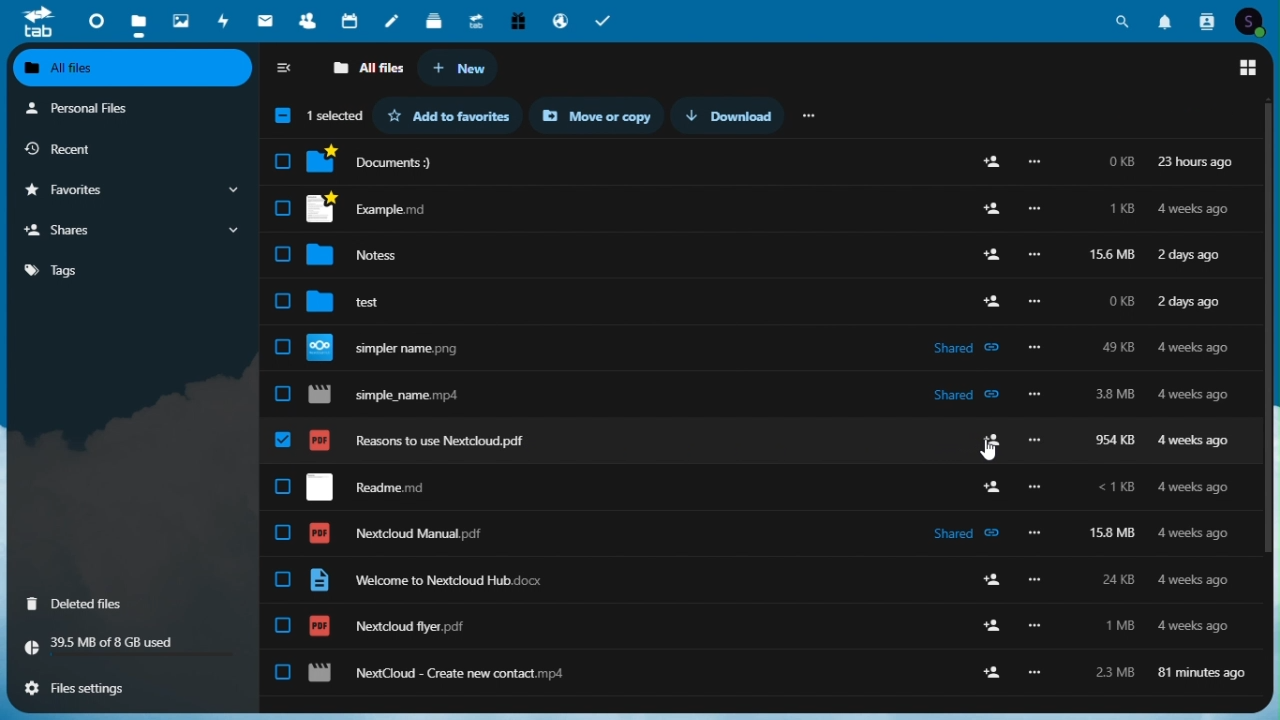 Image resolution: width=1280 pixels, height=720 pixels. What do you see at coordinates (980, 618) in the screenshot?
I see ` add user` at bounding box center [980, 618].